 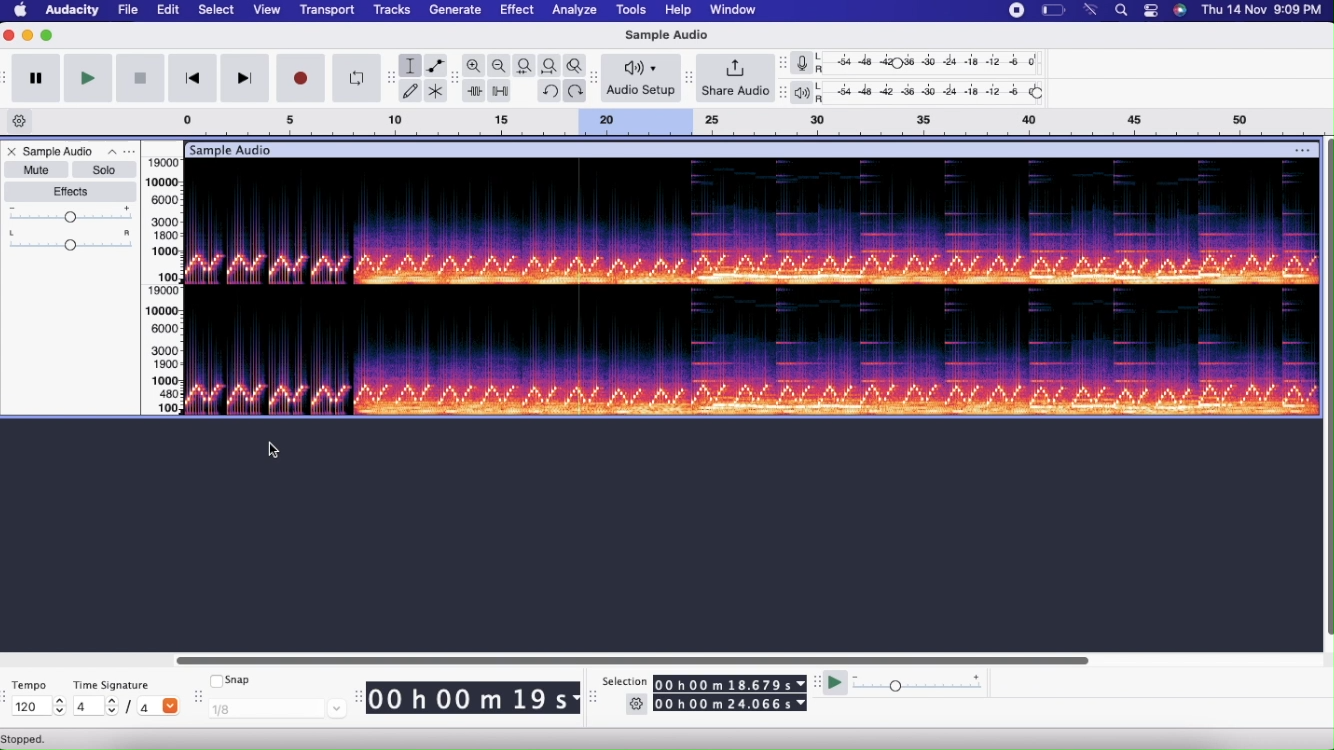 I want to click on date and time, so click(x=1263, y=10).